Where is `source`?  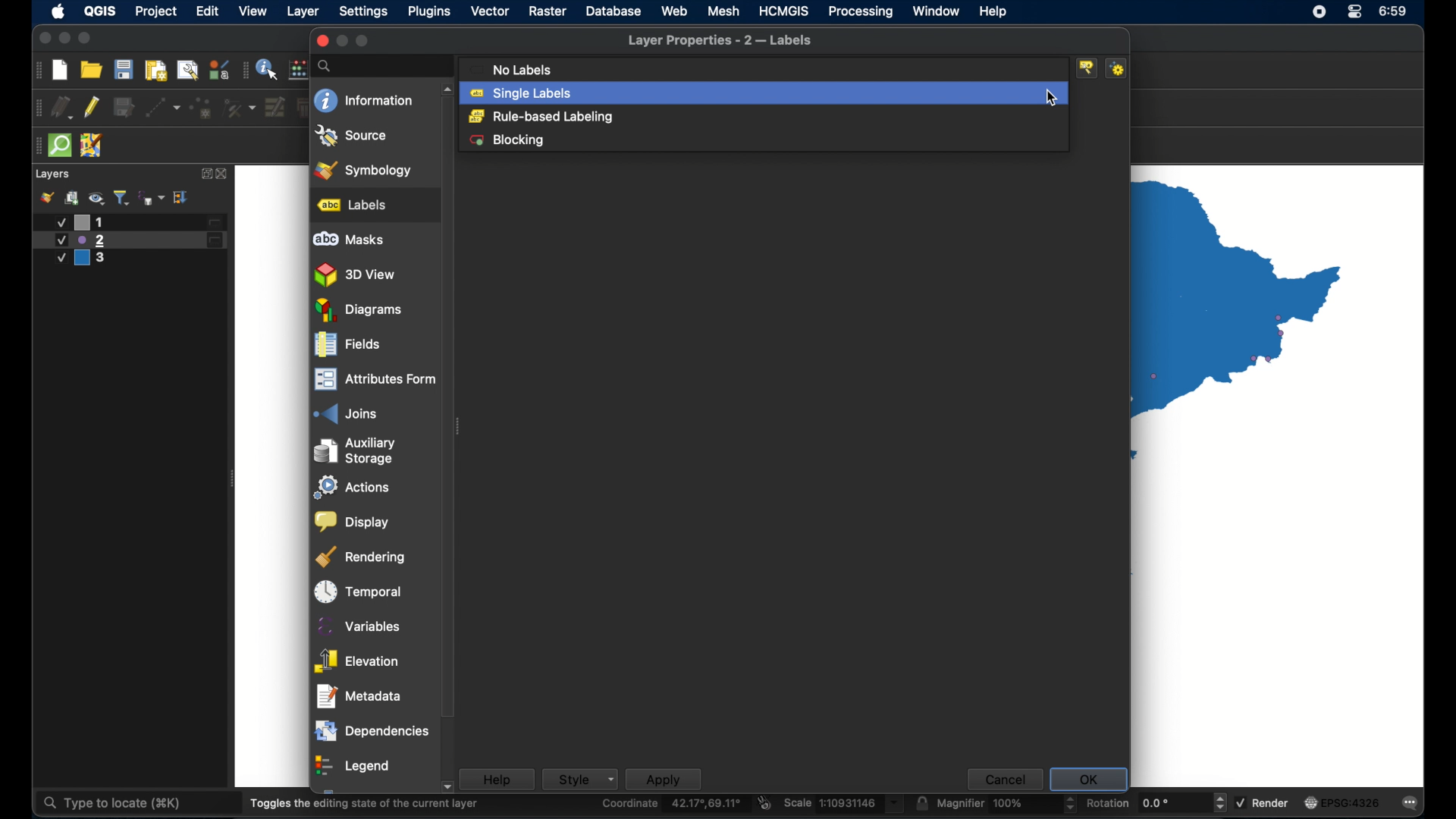
source is located at coordinates (352, 136).